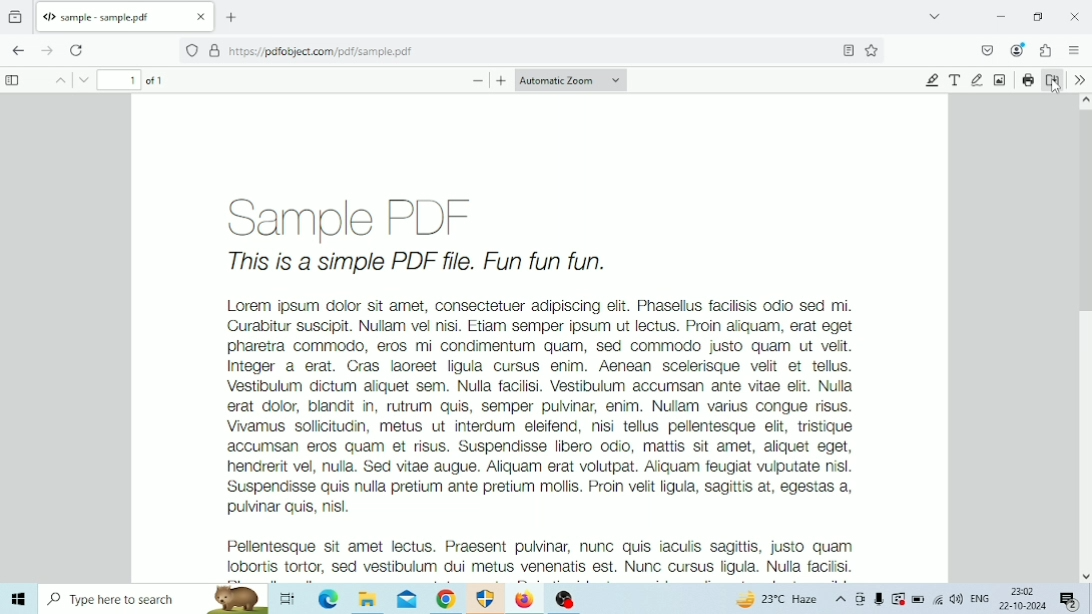 This screenshot has width=1092, height=614. Describe the element at coordinates (1080, 79) in the screenshot. I see `Tools` at that location.